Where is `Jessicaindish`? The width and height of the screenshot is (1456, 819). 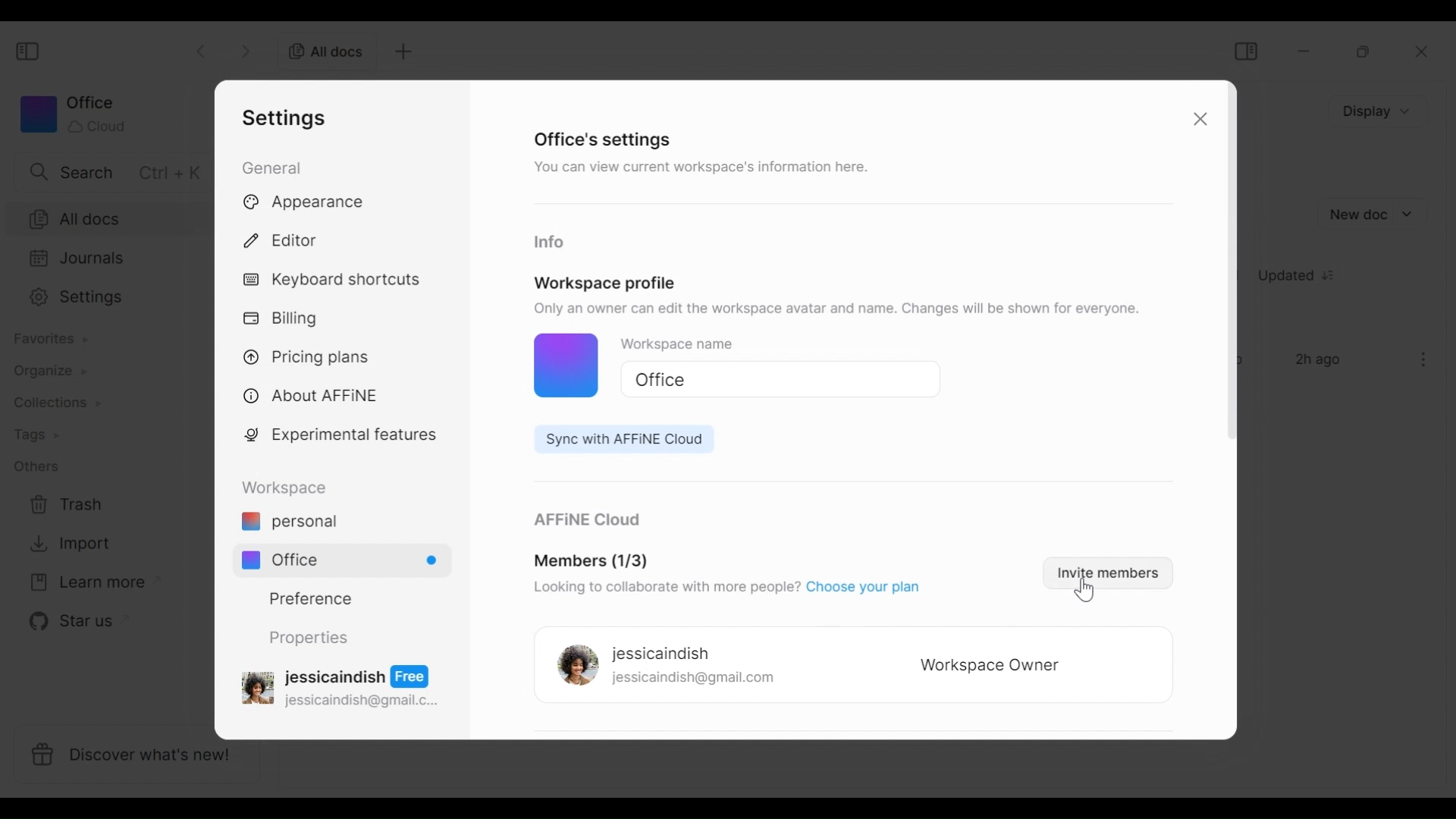
Jessicaindish is located at coordinates (661, 654).